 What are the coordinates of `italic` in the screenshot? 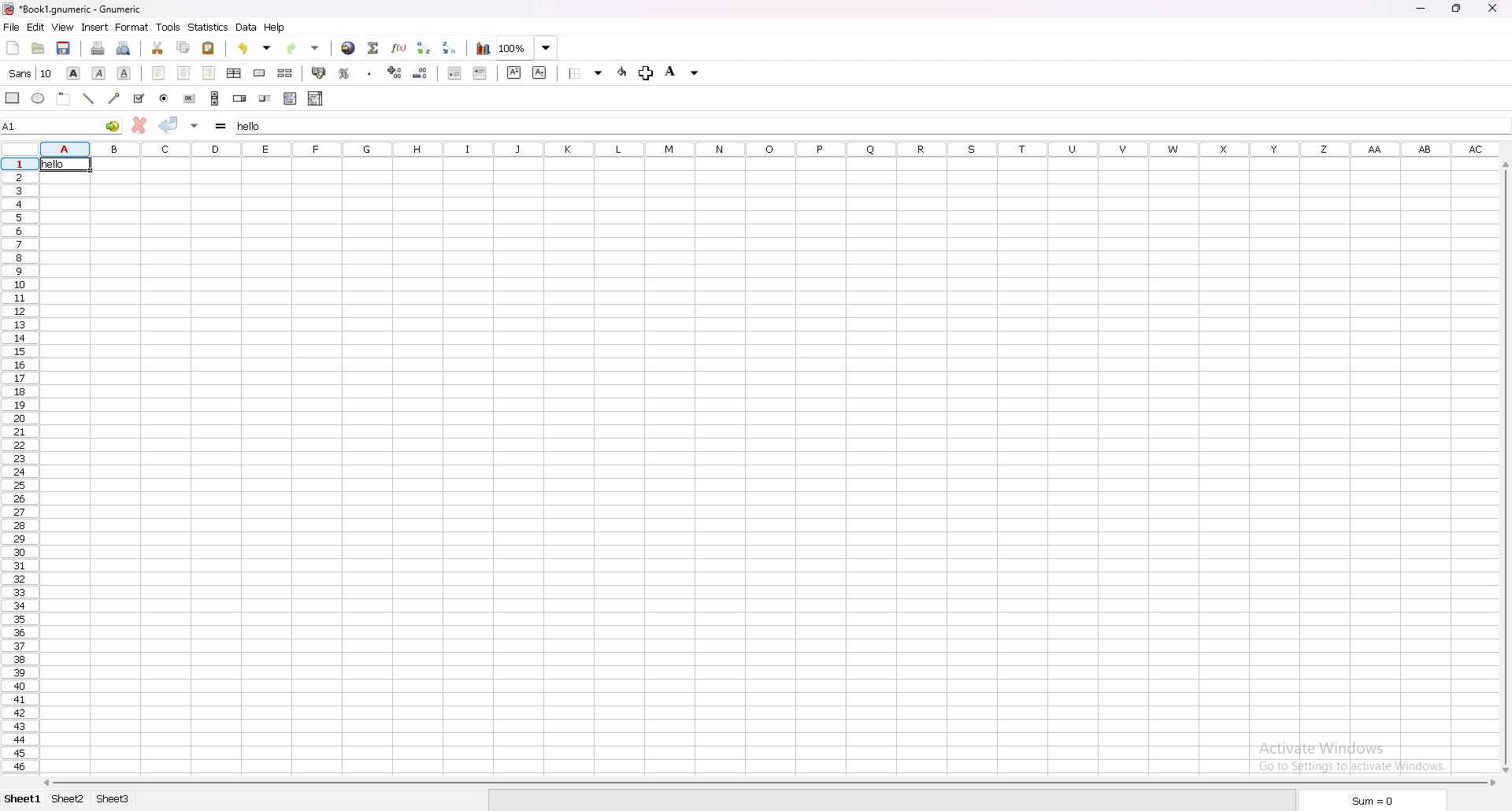 It's located at (100, 73).